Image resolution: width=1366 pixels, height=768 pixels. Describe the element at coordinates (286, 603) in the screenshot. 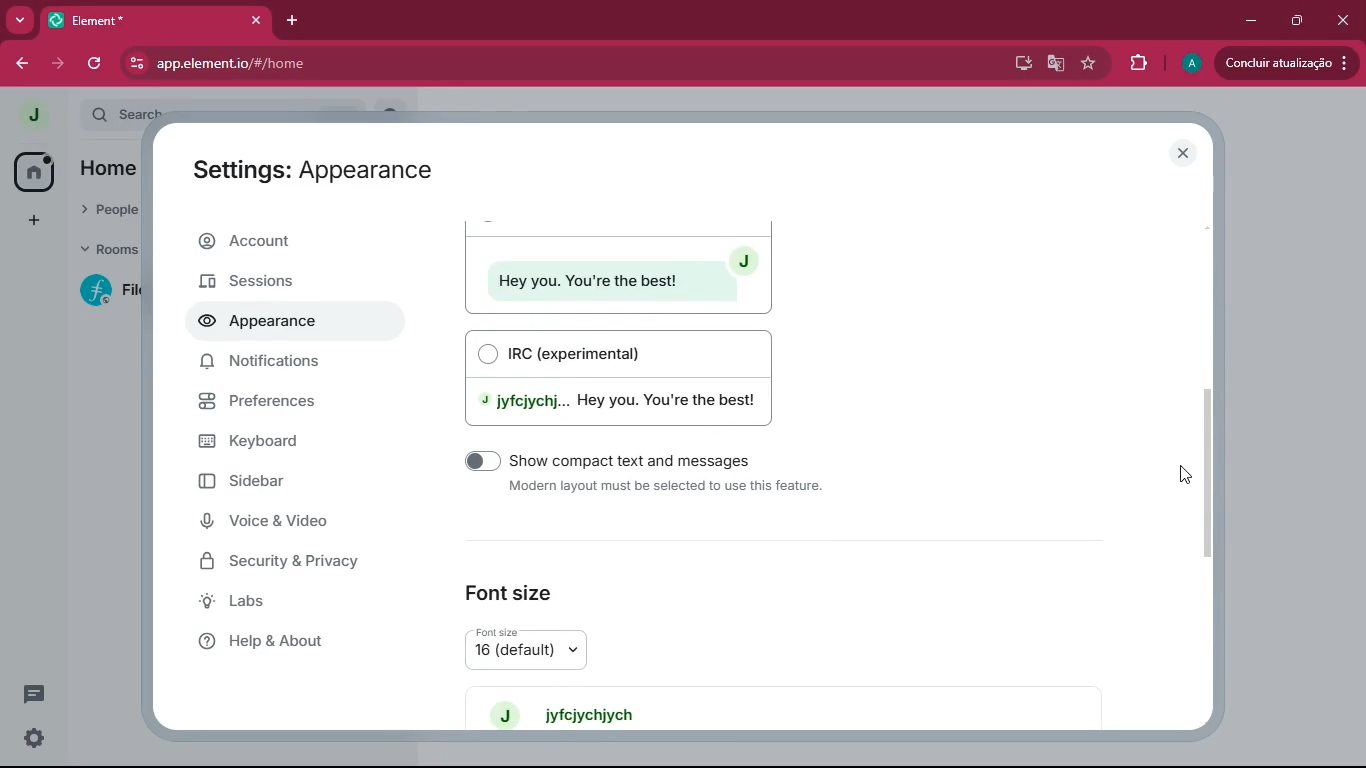

I see `labs` at that location.